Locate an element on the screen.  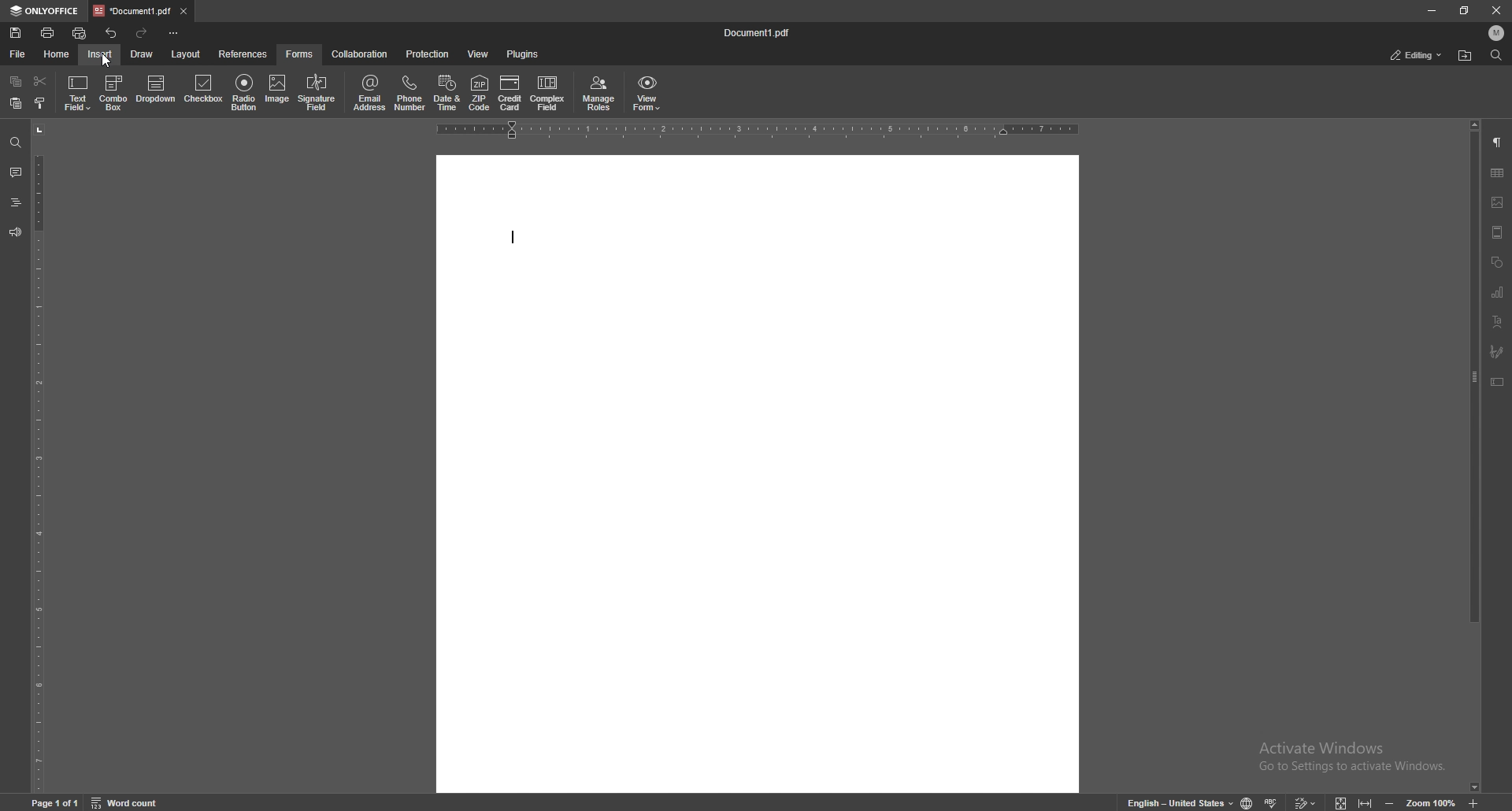
email address is located at coordinates (369, 92).